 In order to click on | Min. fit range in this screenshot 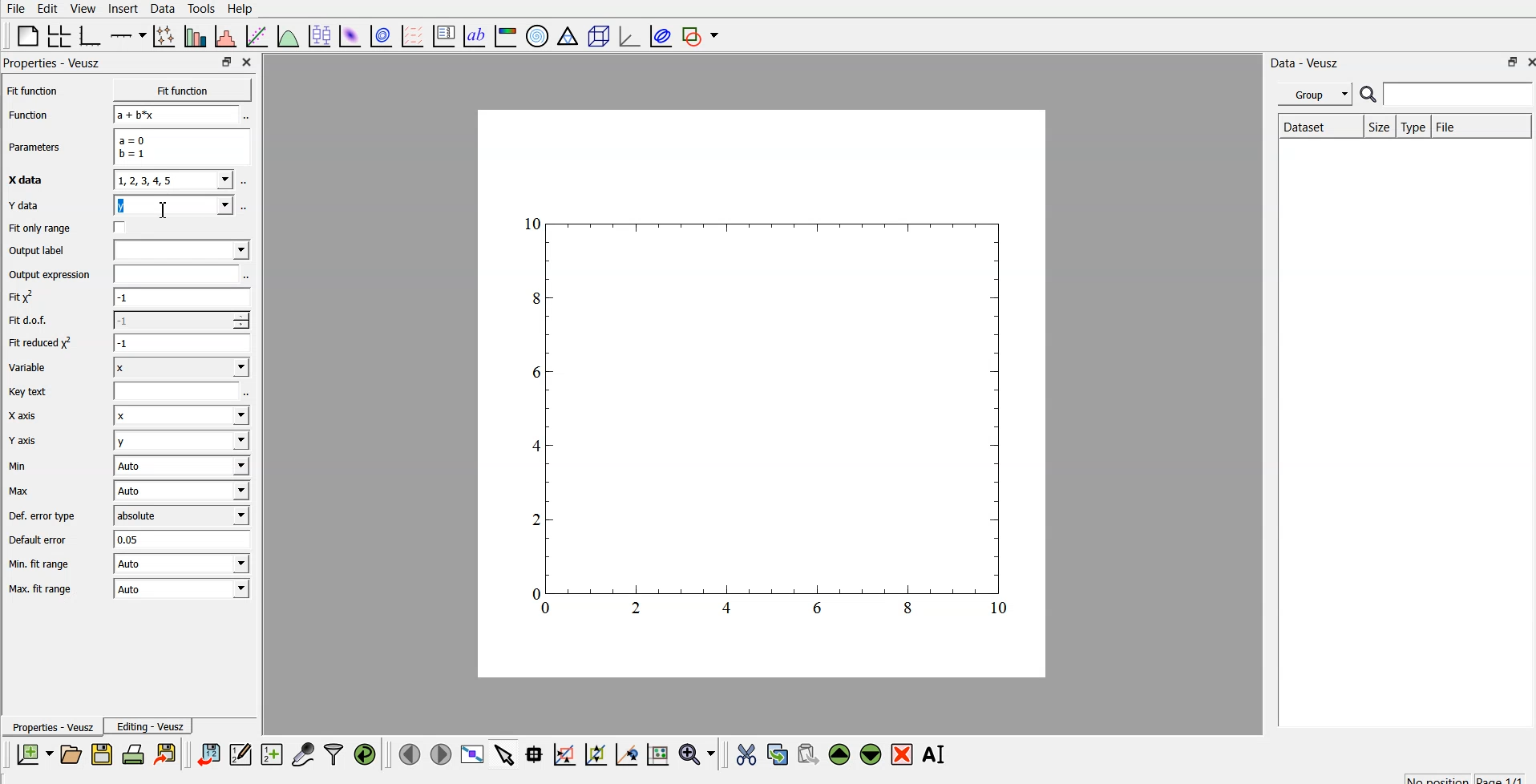, I will do `click(39, 564)`.